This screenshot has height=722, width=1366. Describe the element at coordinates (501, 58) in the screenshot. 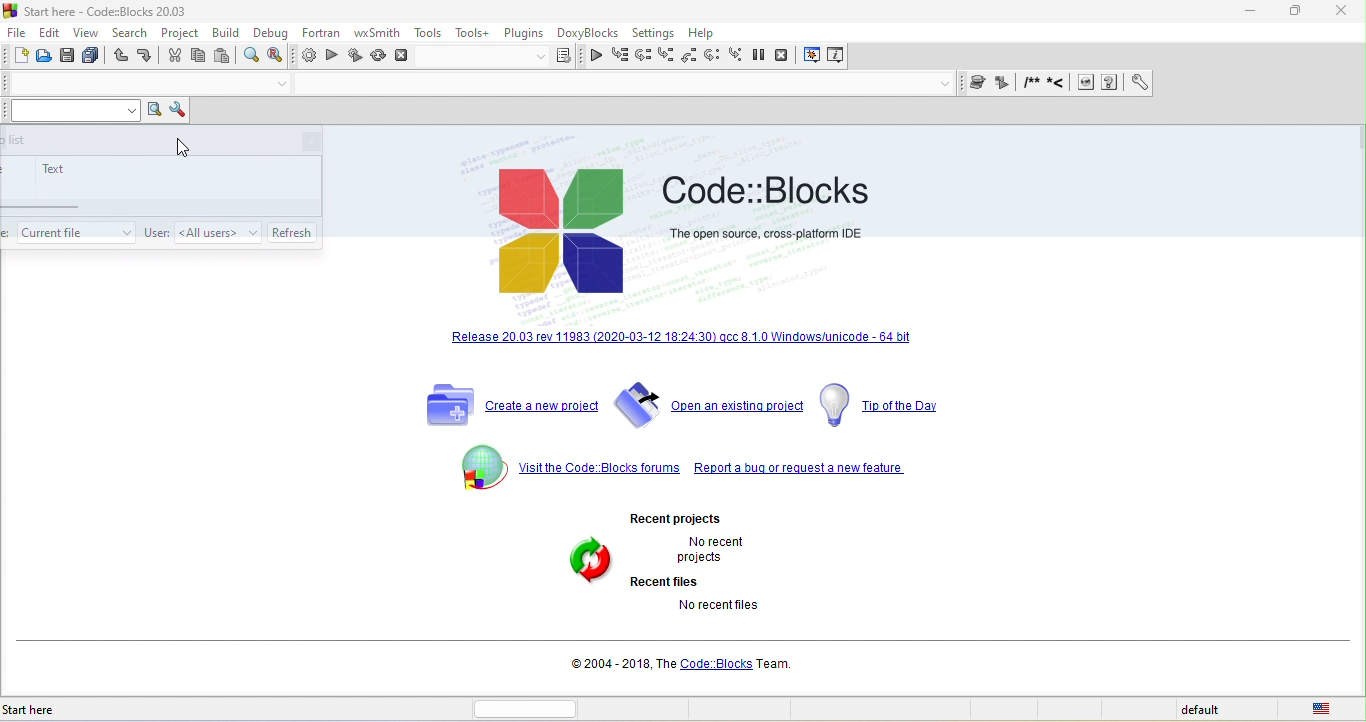

I see `select target dialog` at that location.